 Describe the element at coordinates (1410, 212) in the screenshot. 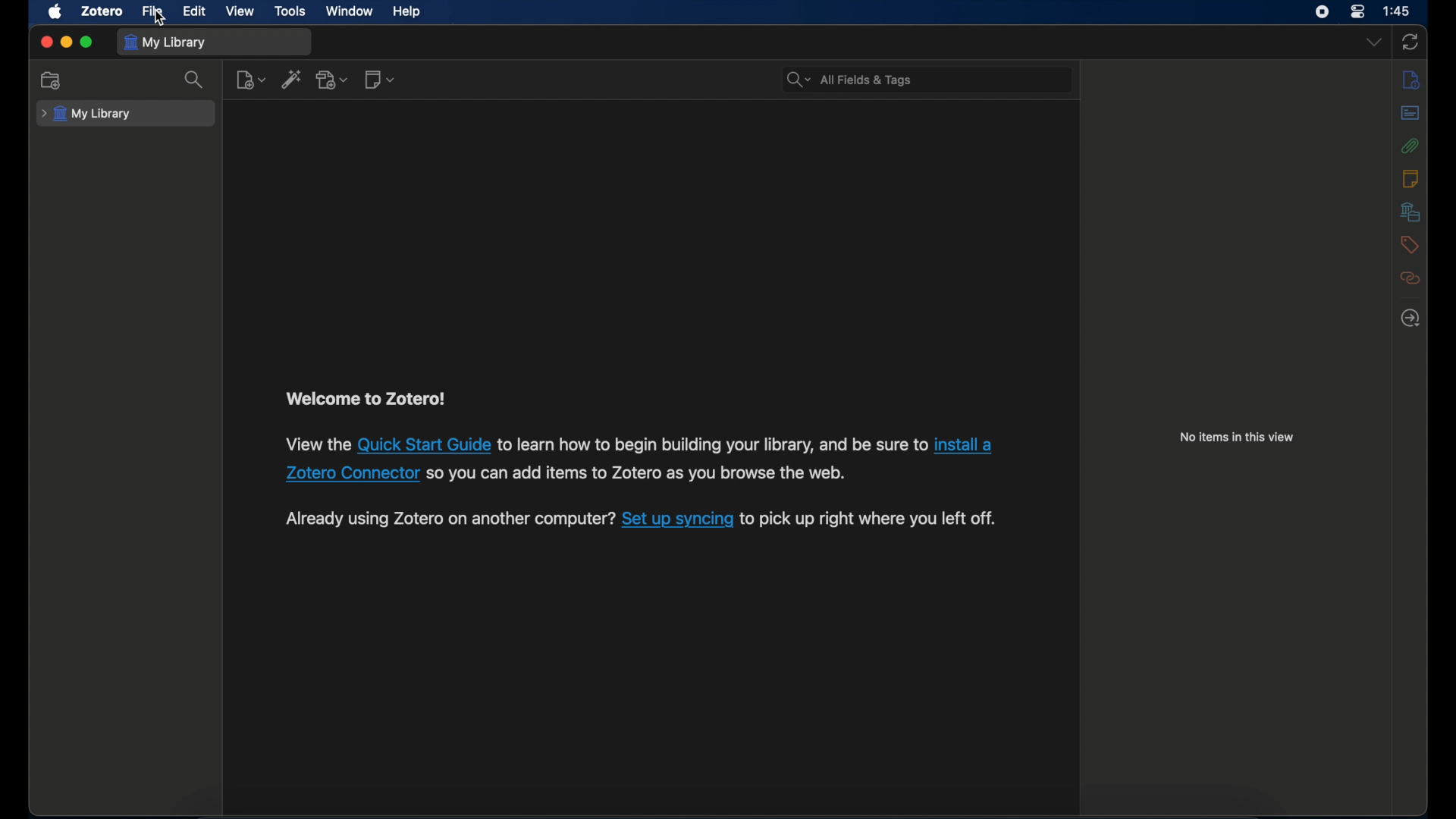

I see `libraries` at that location.